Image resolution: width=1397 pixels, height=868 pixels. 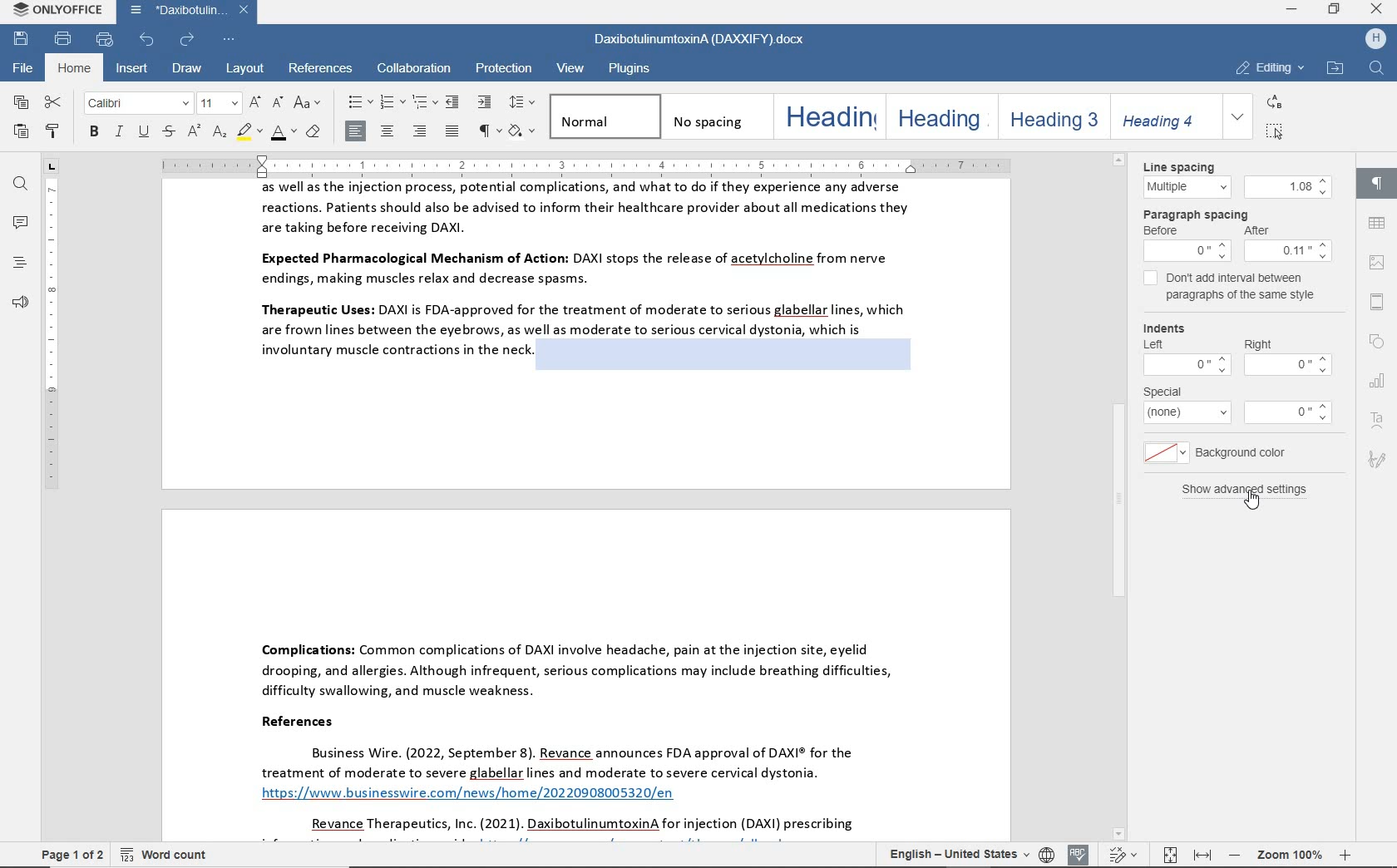 I want to click on header & footer, so click(x=1376, y=302).